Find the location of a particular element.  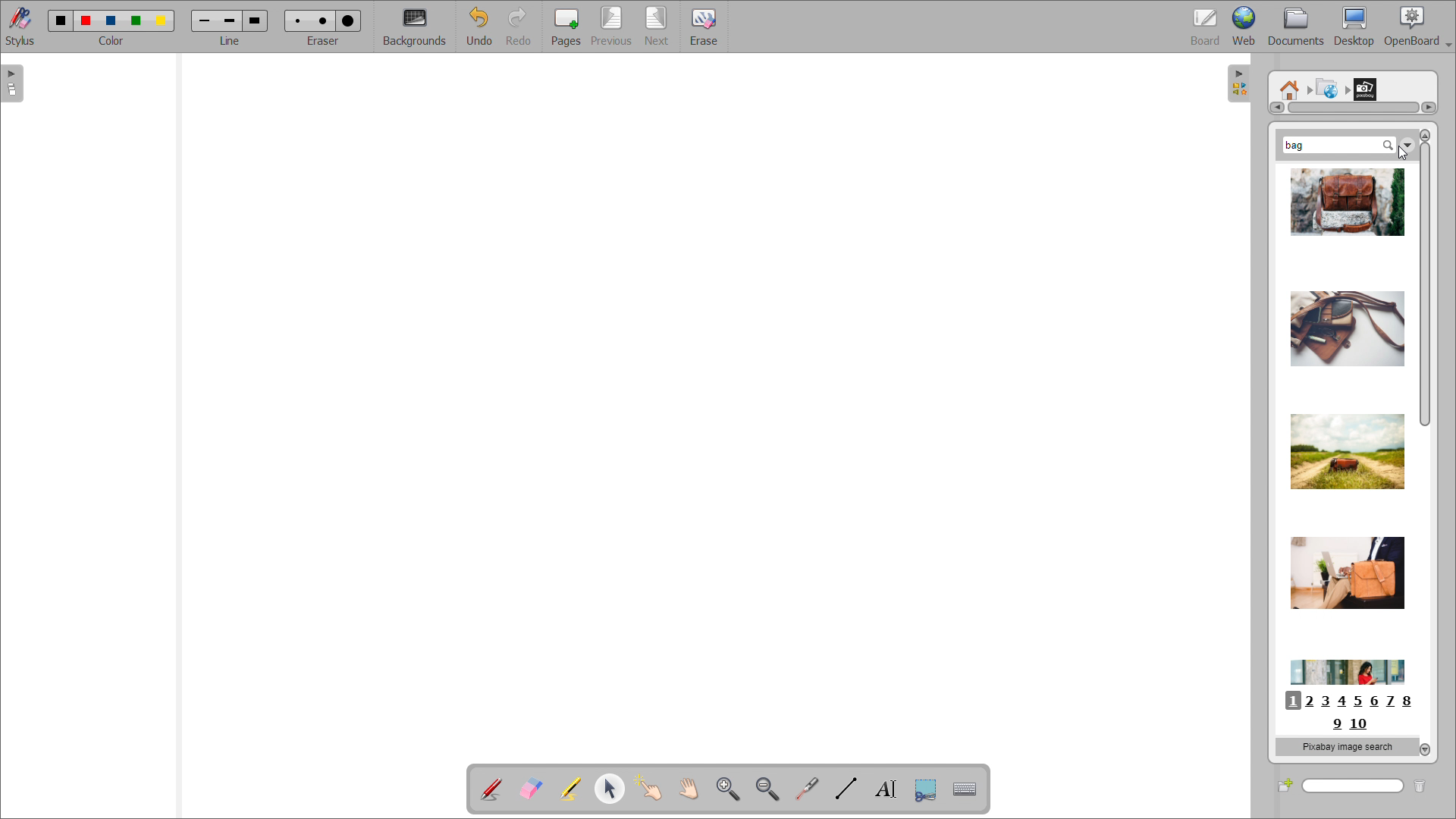

Color 1 is located at coordinates (59, 20).